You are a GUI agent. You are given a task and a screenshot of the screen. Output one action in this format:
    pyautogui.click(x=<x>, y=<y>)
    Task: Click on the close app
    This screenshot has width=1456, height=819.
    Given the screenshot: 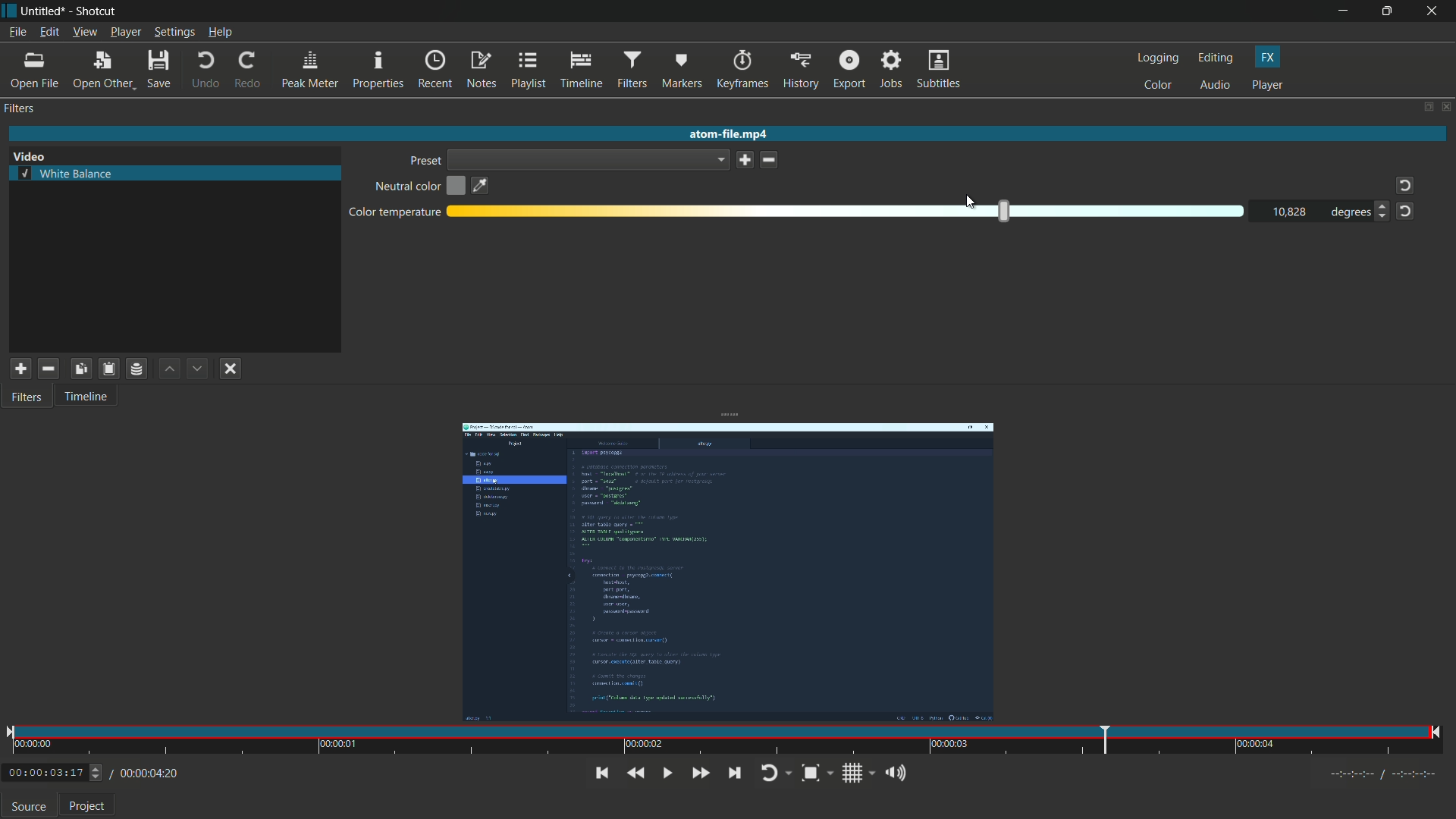 What is the action you would take?
    pyautogui.click(x=1435, y=11)
    